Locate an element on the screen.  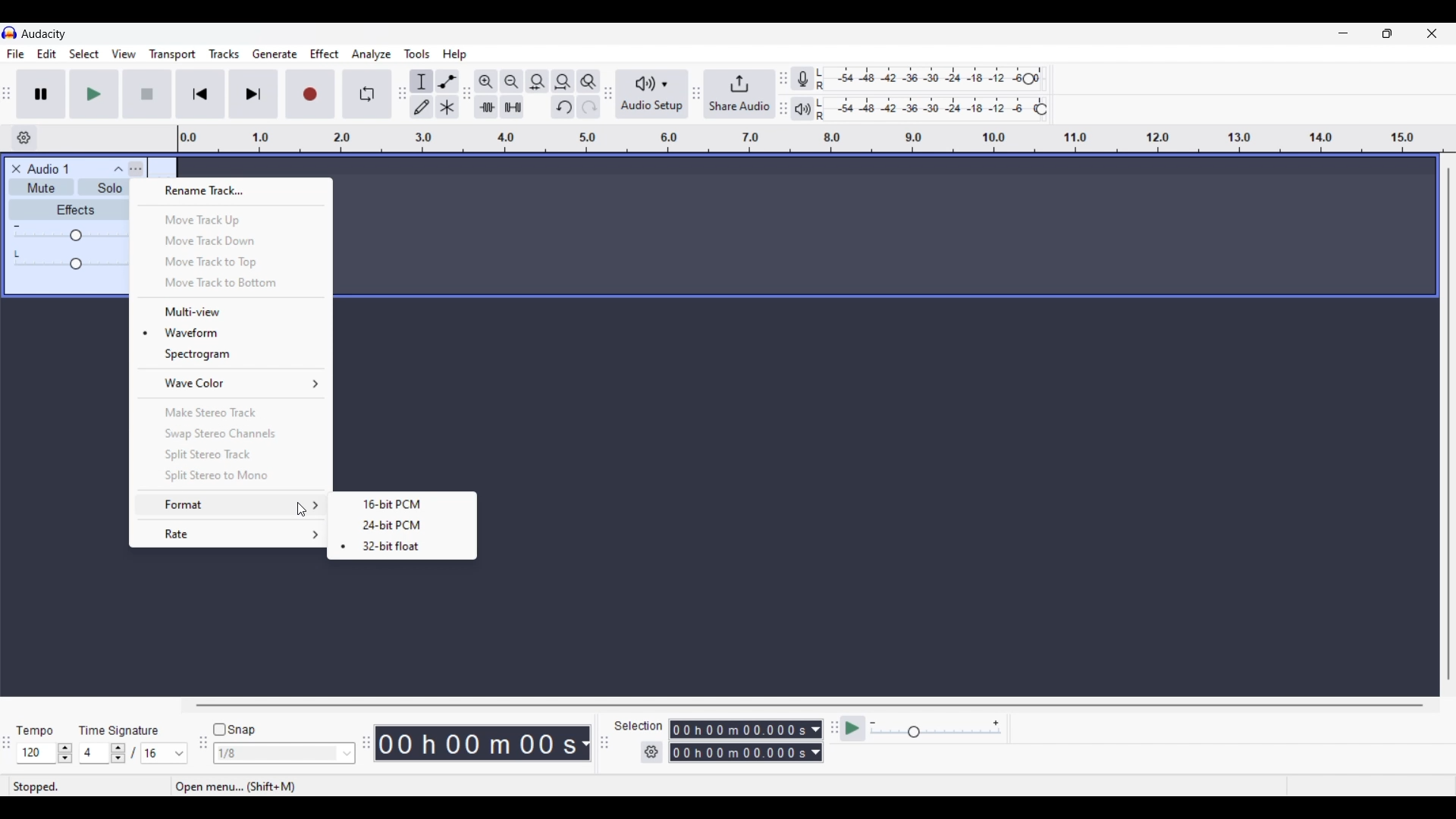
Scale to measure audio length is located at coordinates (817, 139).